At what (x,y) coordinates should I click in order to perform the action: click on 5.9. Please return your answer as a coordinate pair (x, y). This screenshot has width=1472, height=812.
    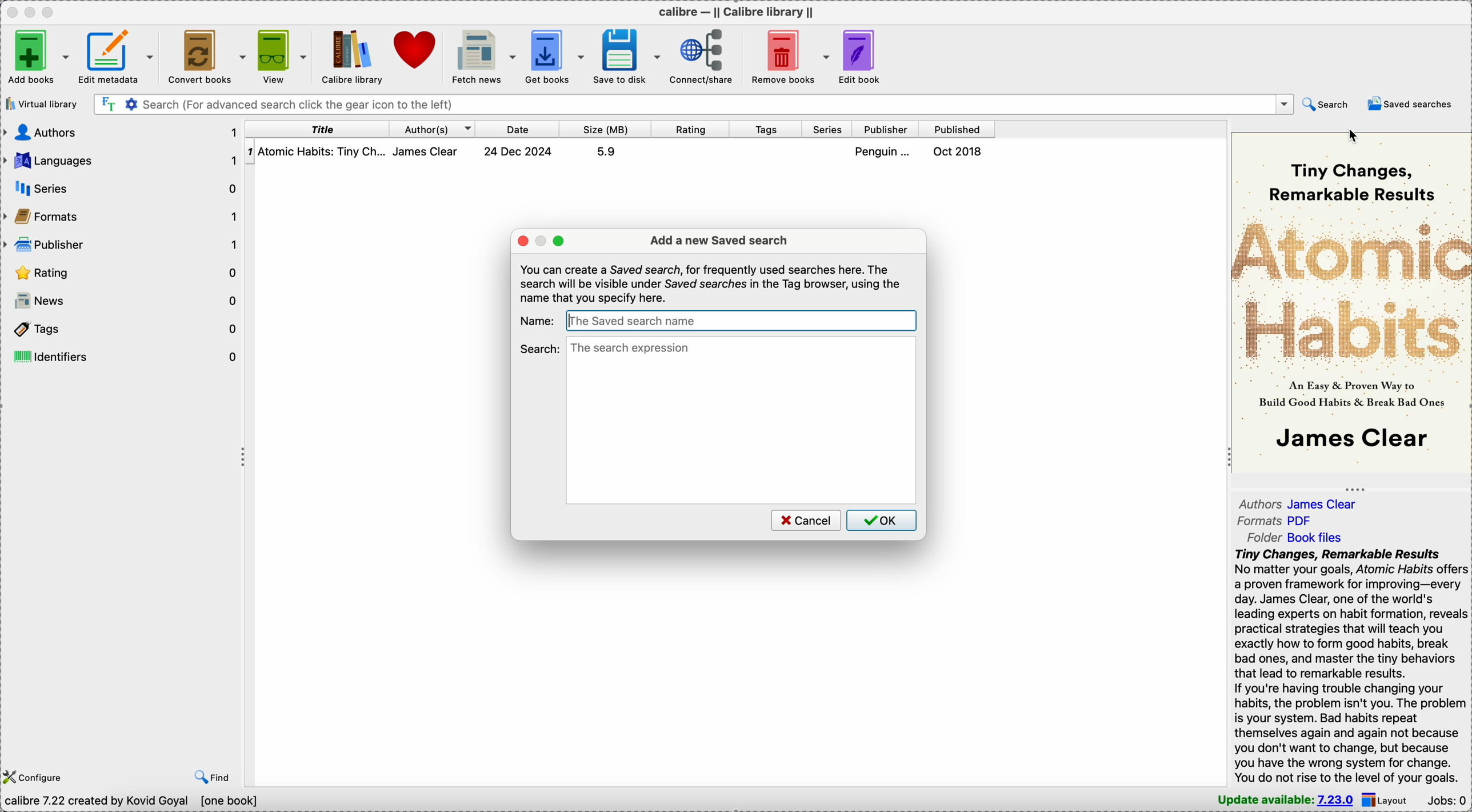
    Looking at the image, I should click on (606, 151).